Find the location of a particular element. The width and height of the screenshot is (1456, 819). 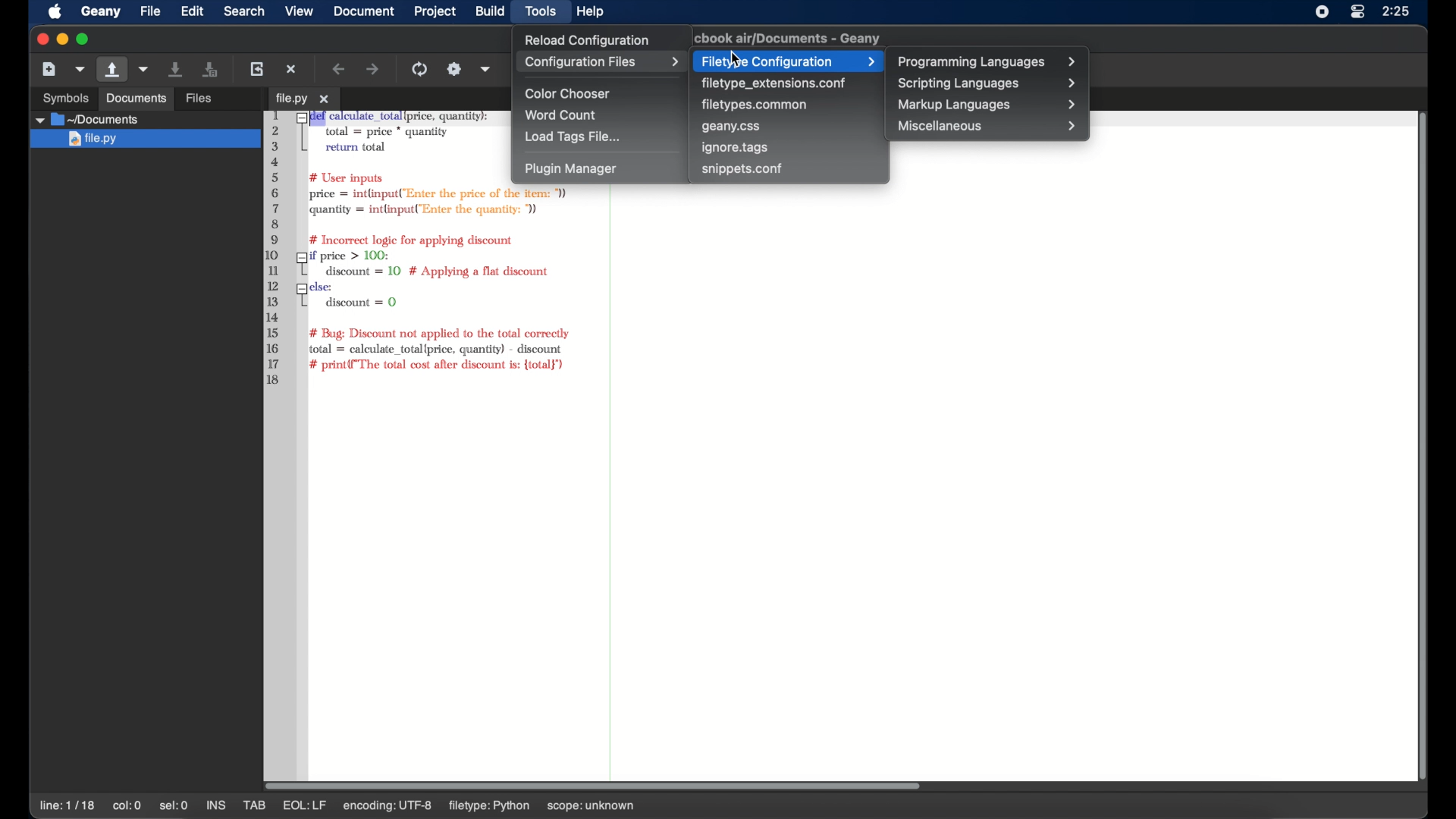

reload current file from disk is located at coordinates (256, 68).